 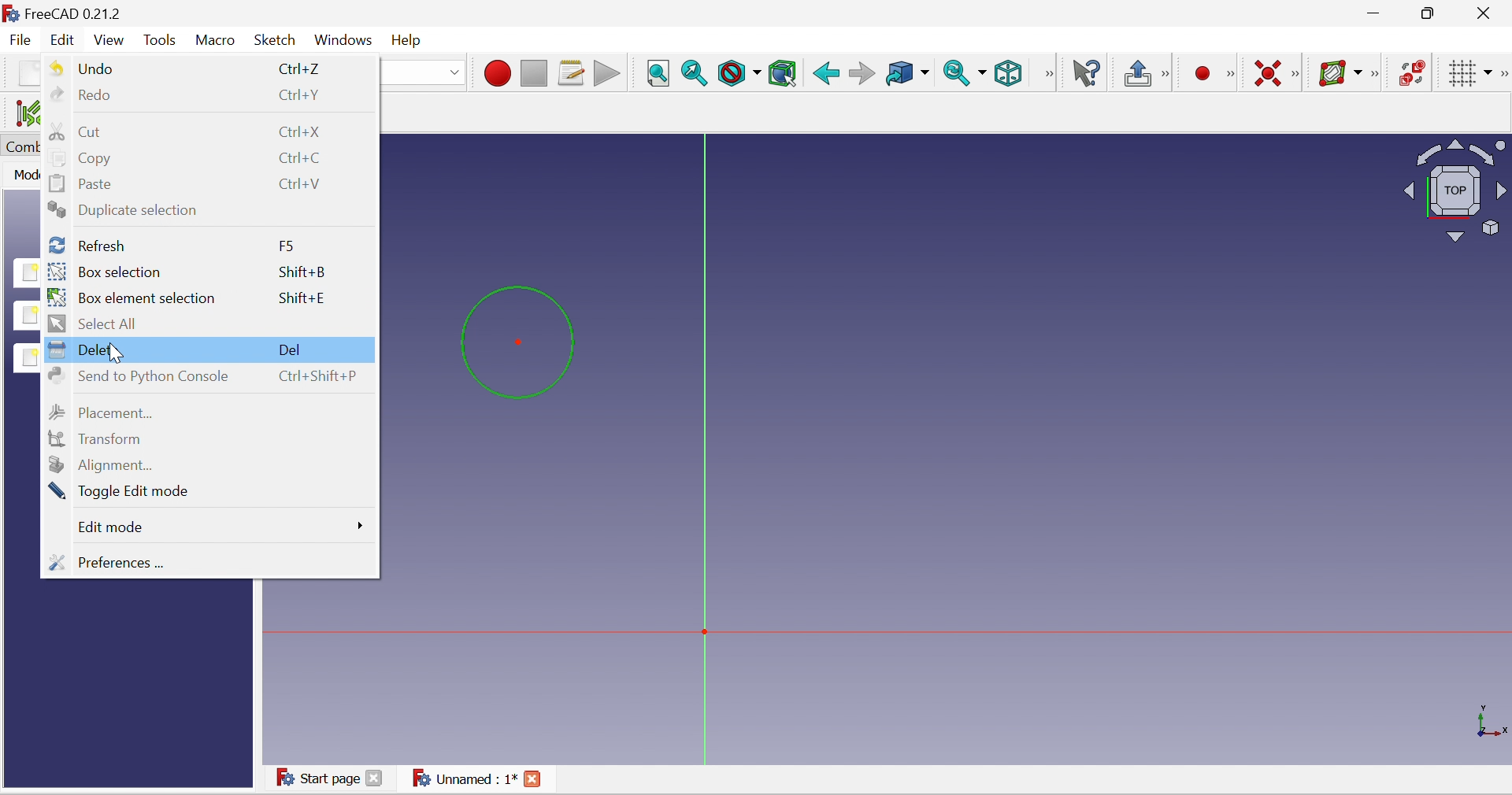 What do you see at coordinates (1454, 194) in the screenshot?
I see `Viewing angle` at bounding box center [1454, 194].